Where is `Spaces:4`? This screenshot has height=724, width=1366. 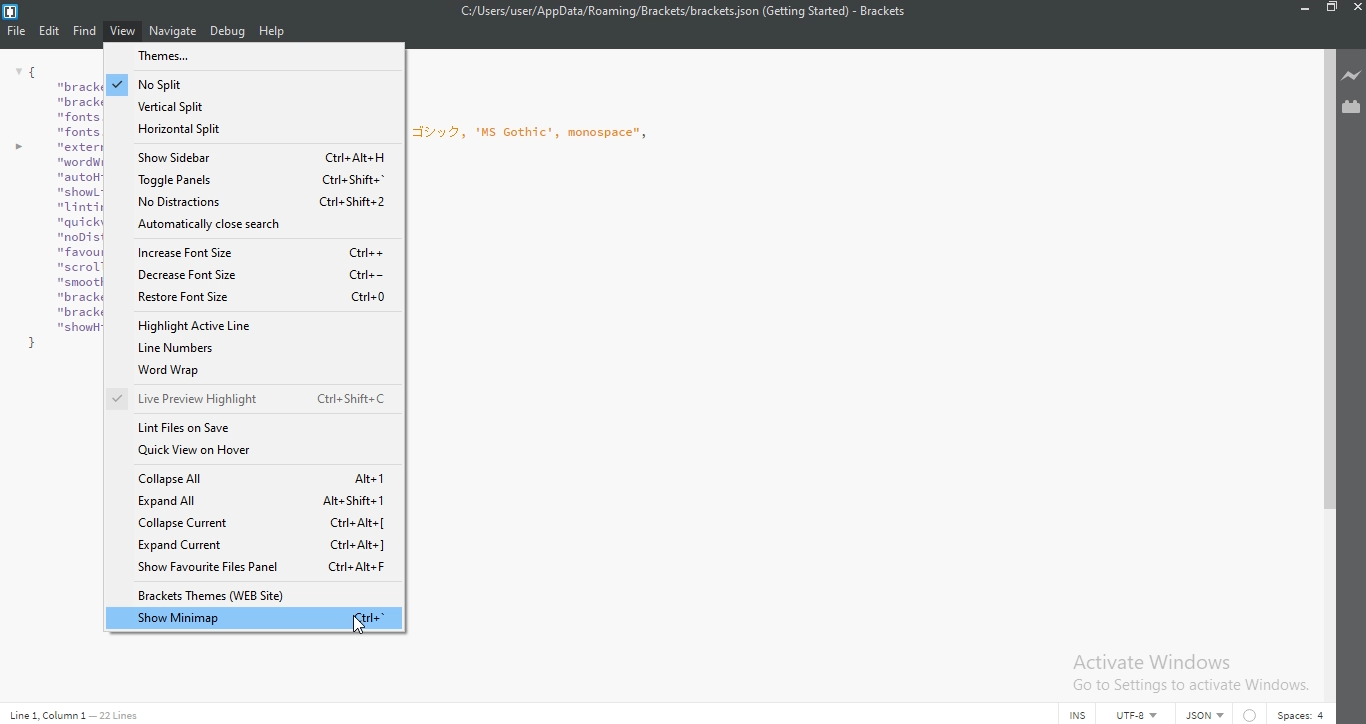 Spaces:4 is located at coordinates (1305, 713).